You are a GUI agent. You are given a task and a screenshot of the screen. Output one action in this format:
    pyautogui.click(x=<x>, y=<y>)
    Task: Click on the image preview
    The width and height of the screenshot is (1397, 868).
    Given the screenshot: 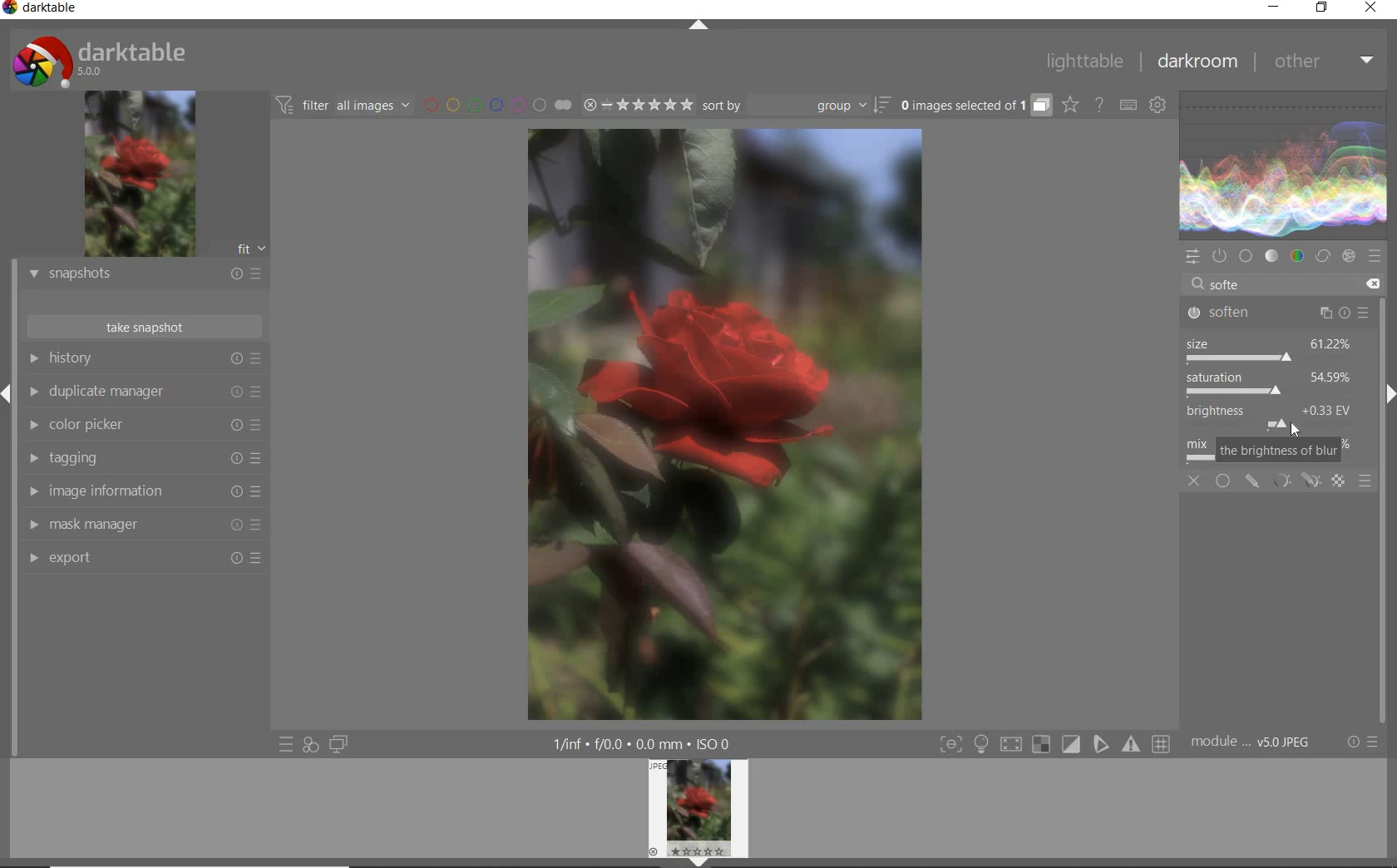 What is the action you would take?
    pyautogui.click(x=698, y=813)
    